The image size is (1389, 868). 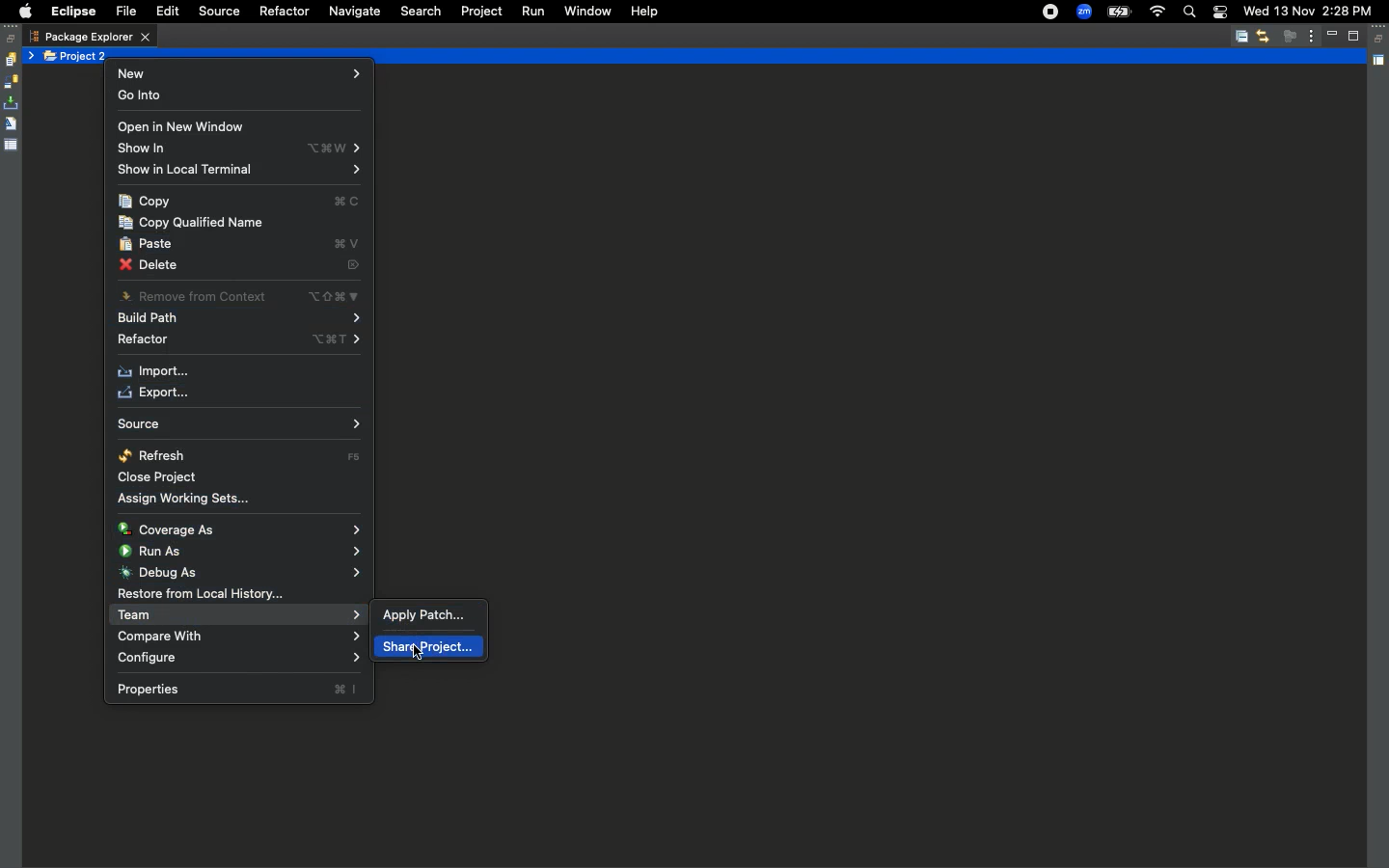 What do you see at coordinates (1219, 14) in the screenshot?
I see `Notification` at bounding box center [1219, 14].